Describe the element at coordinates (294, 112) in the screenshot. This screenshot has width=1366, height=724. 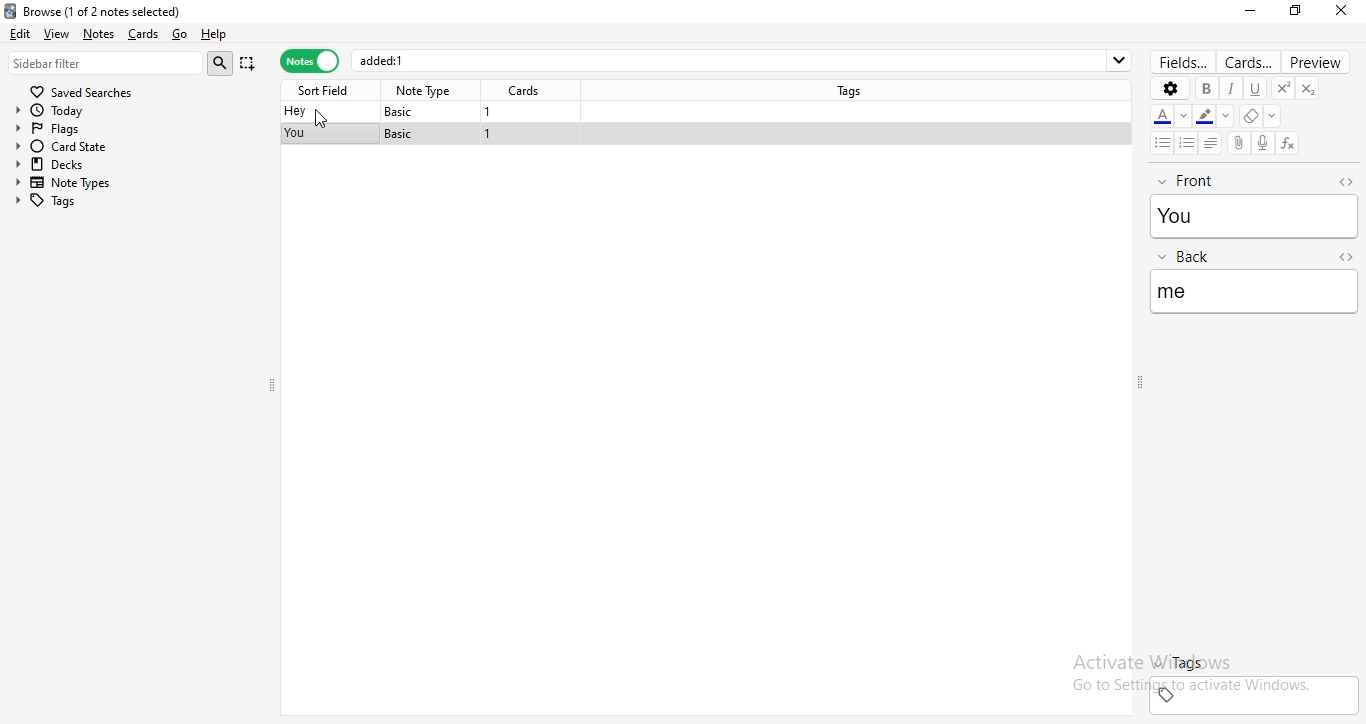
I see `hey` at that location.